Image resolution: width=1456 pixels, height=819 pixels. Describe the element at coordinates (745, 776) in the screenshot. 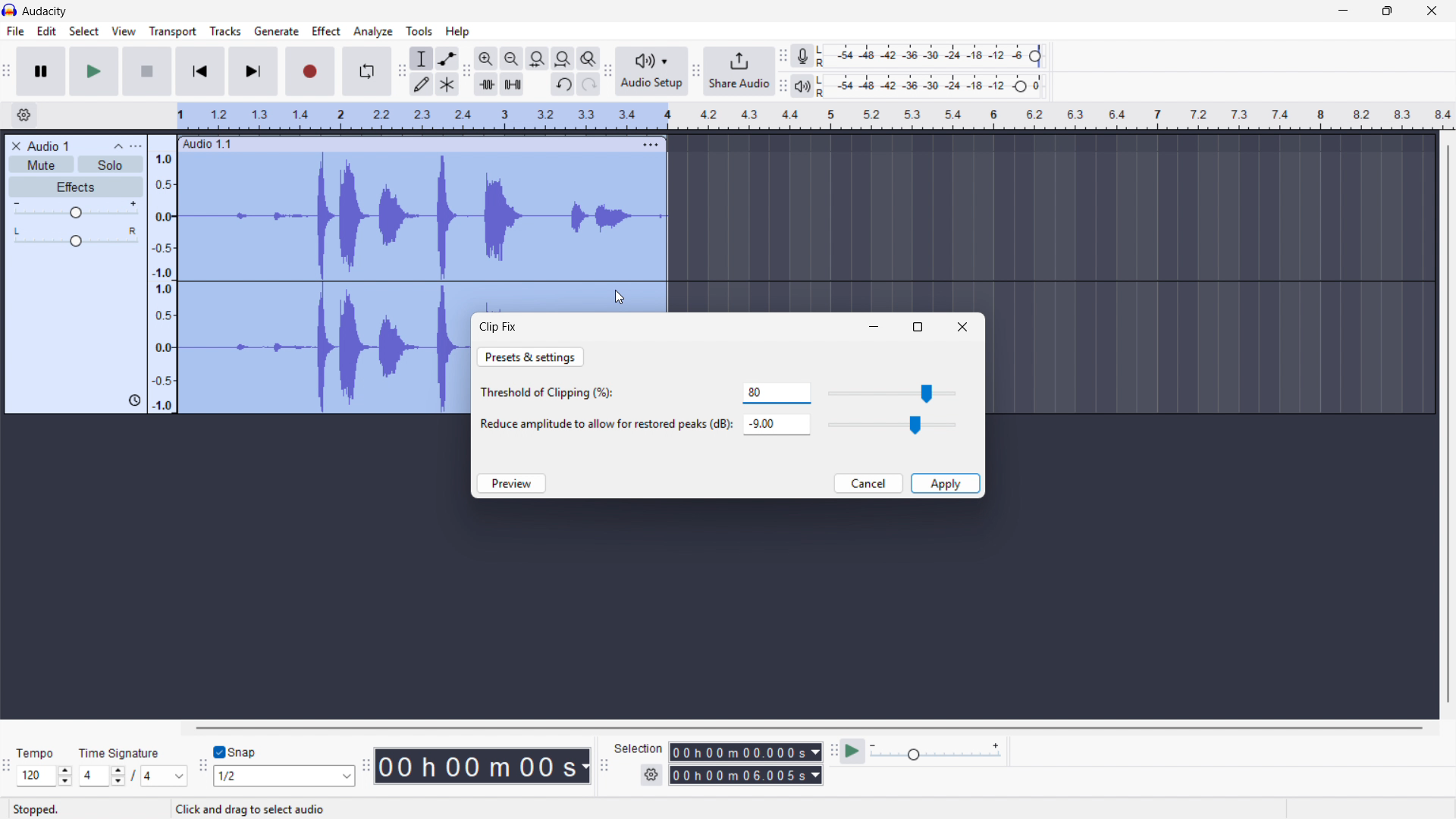

I see `selection end time` at that location.